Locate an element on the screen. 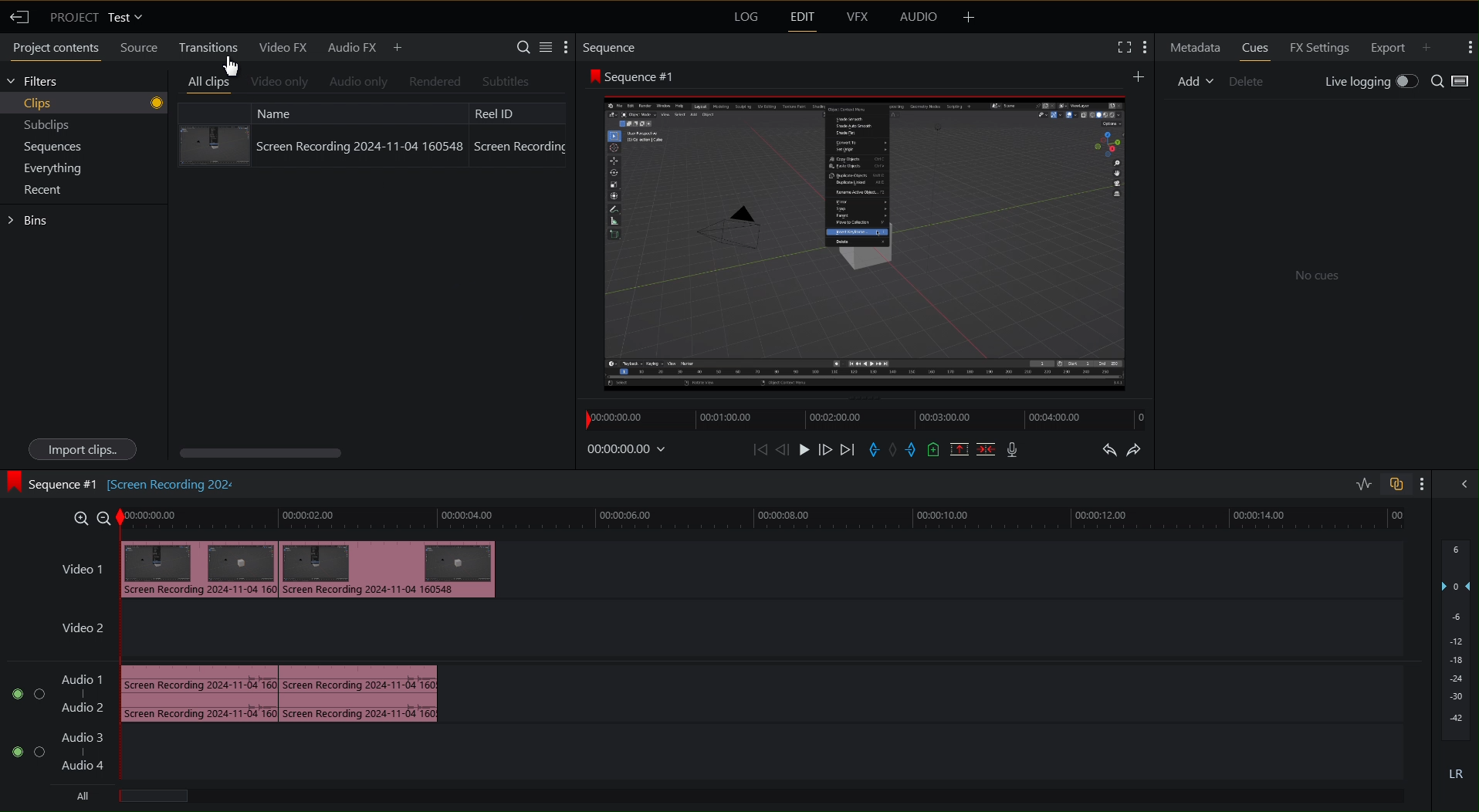  Audio Only is located at coordinates (358, 82).